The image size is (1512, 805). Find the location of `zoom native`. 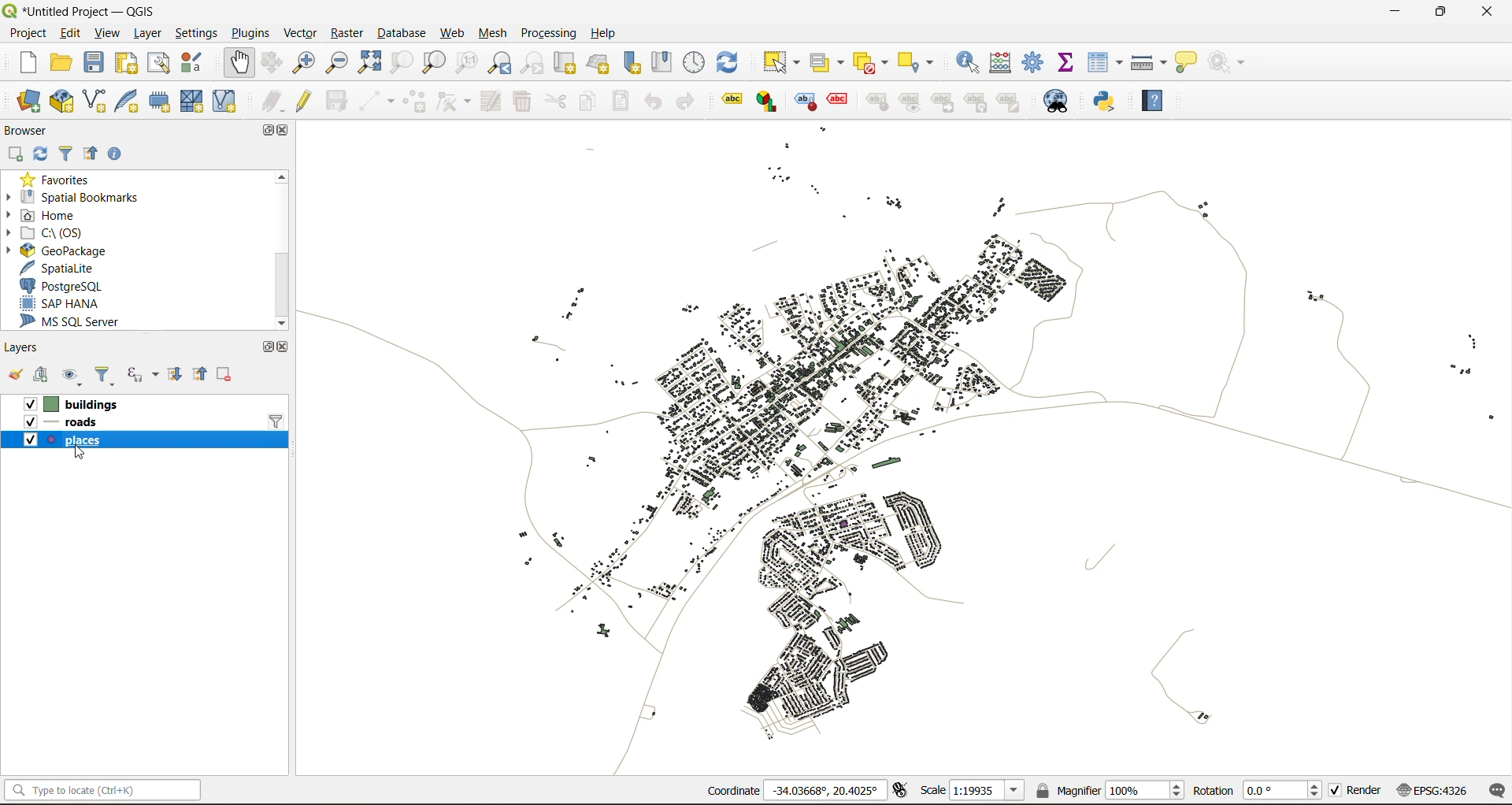

zoom native is located at coordinates (471, 63).